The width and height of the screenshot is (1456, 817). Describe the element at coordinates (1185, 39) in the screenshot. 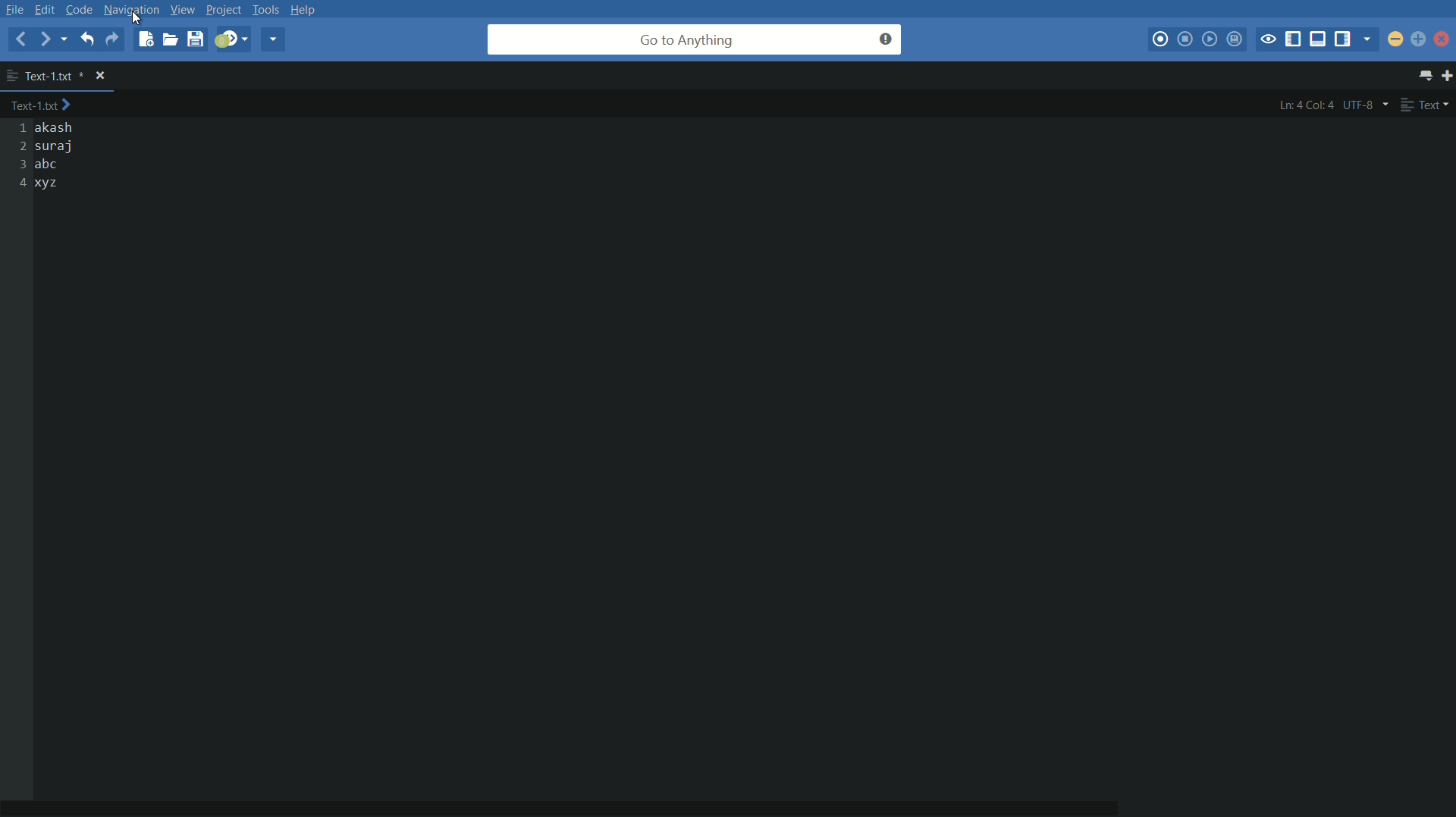

I see `stop macro` at that location.